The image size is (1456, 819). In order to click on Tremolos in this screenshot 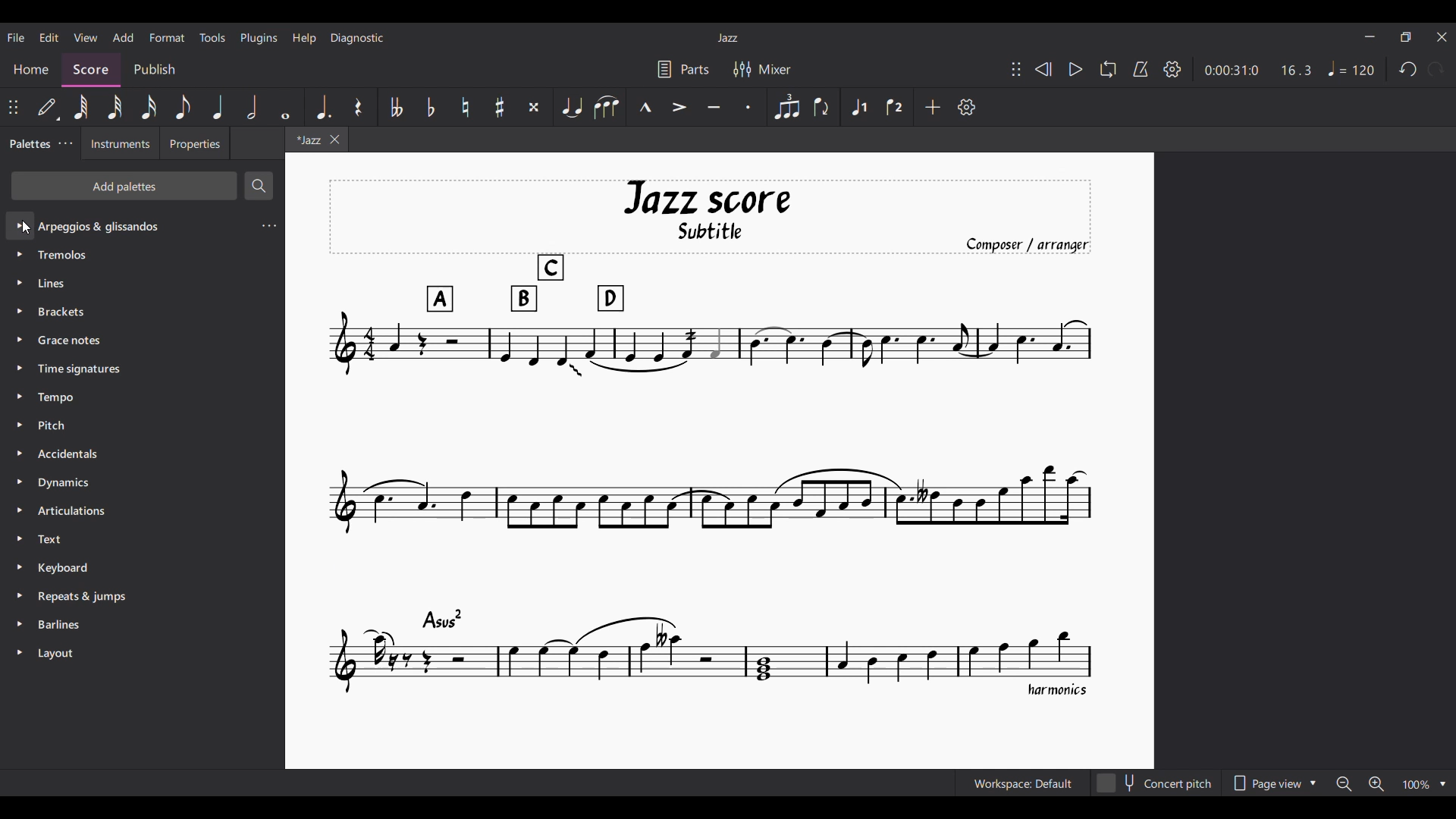, I will do `click(65, 257)`.